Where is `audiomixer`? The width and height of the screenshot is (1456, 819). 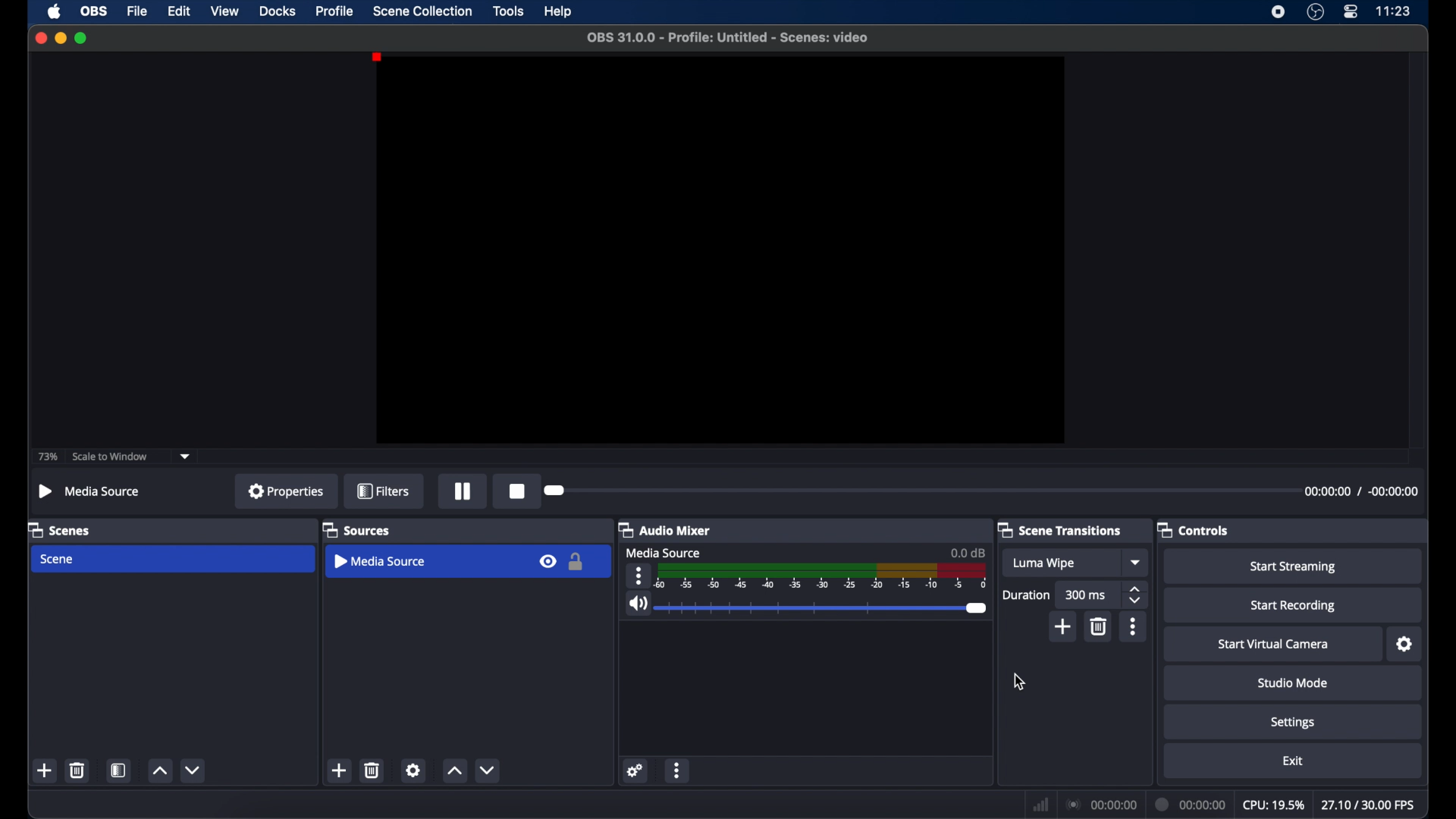
audiomixer is located at coordinates (664, 529).